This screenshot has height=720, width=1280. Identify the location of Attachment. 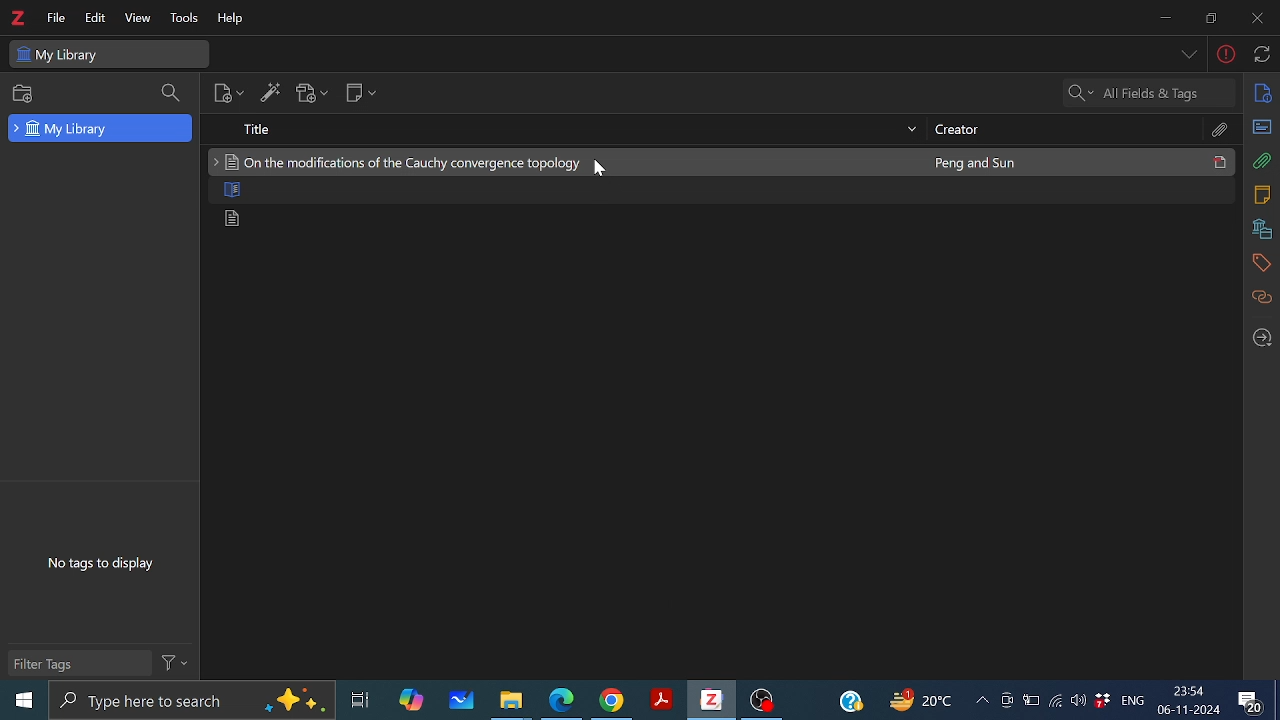
(1259, 163).